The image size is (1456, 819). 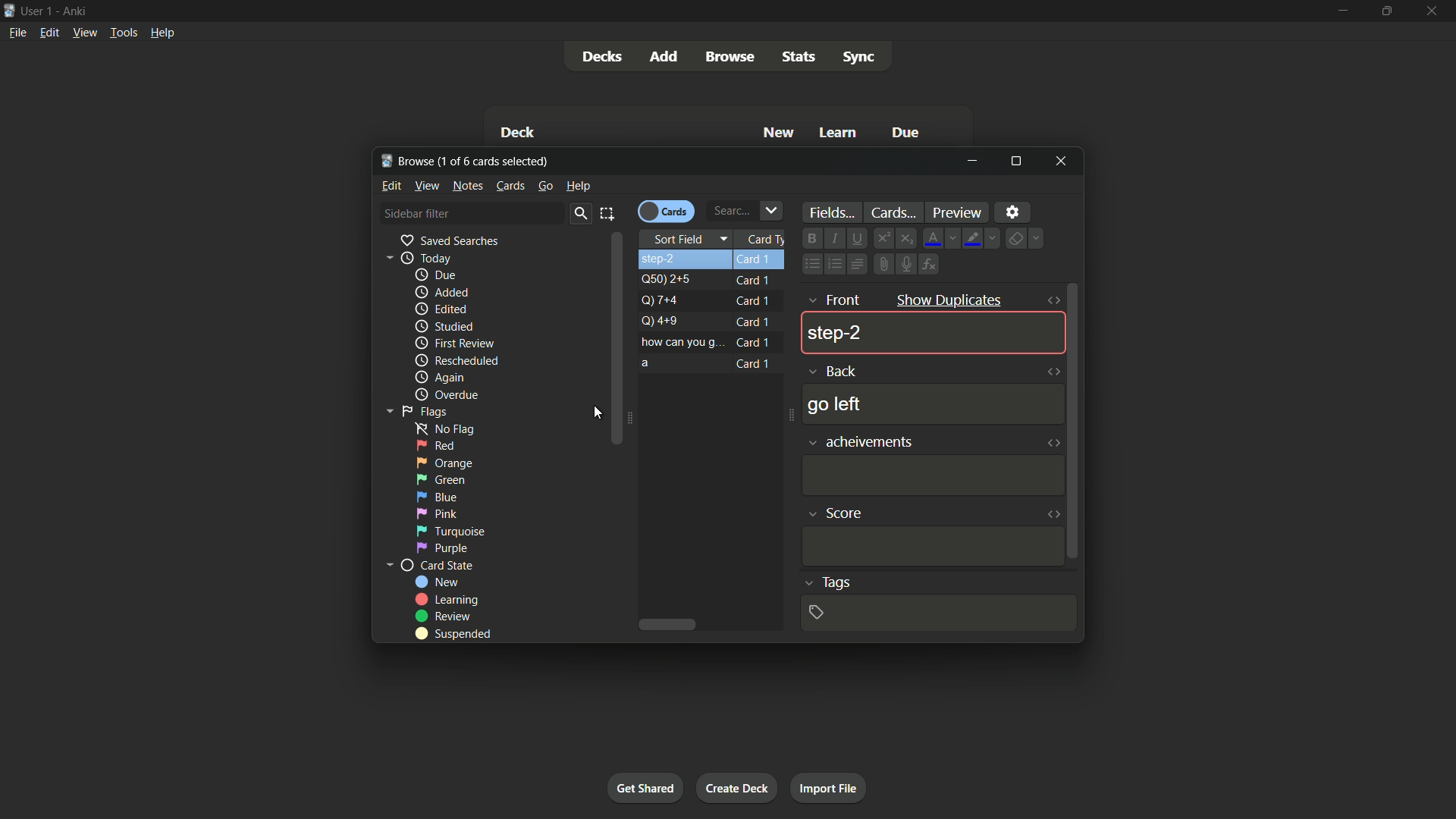 I want to click on First review, so click(x=454, y=343).